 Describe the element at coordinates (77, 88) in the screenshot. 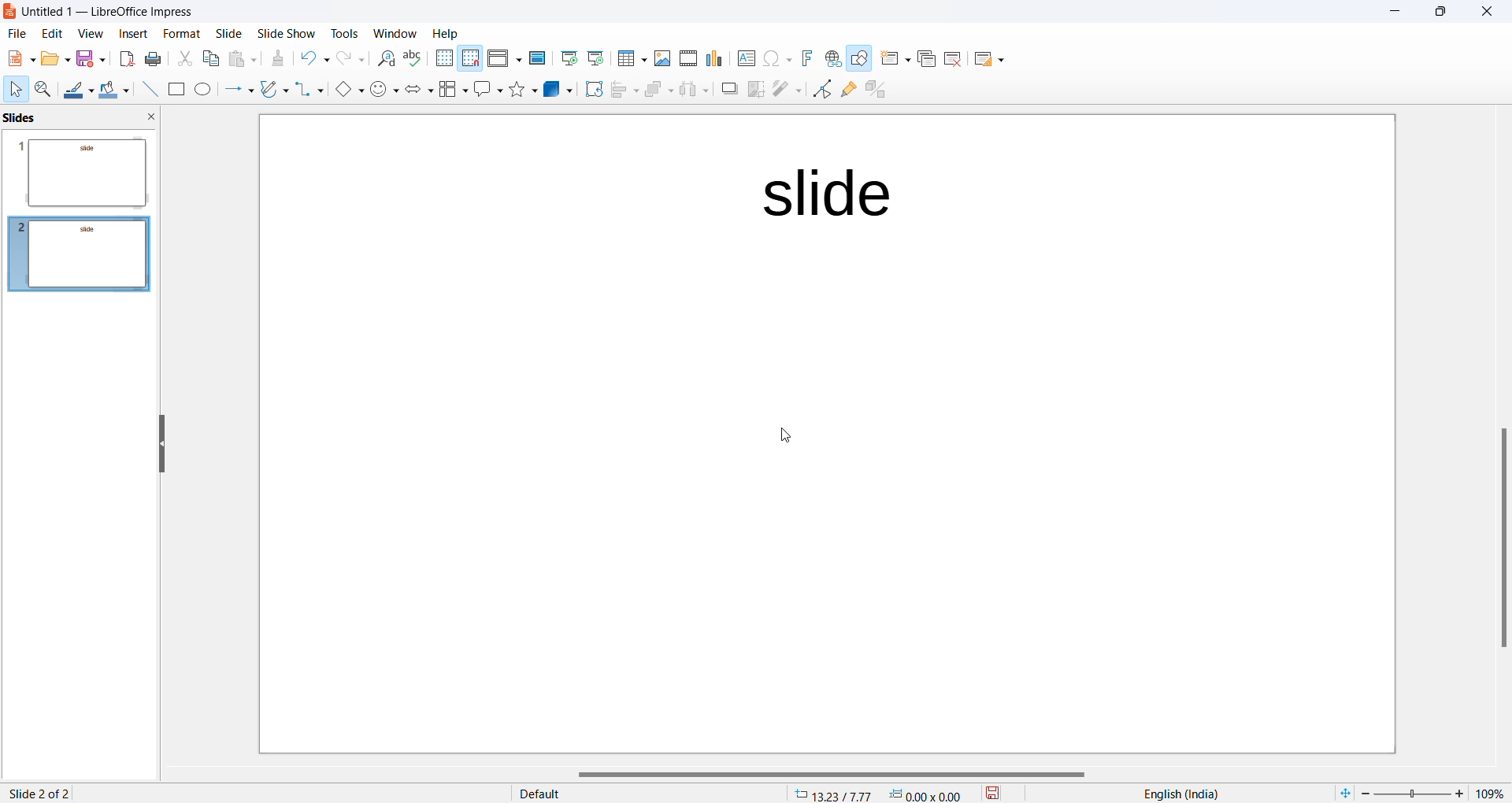

I see `Line color` at that location.